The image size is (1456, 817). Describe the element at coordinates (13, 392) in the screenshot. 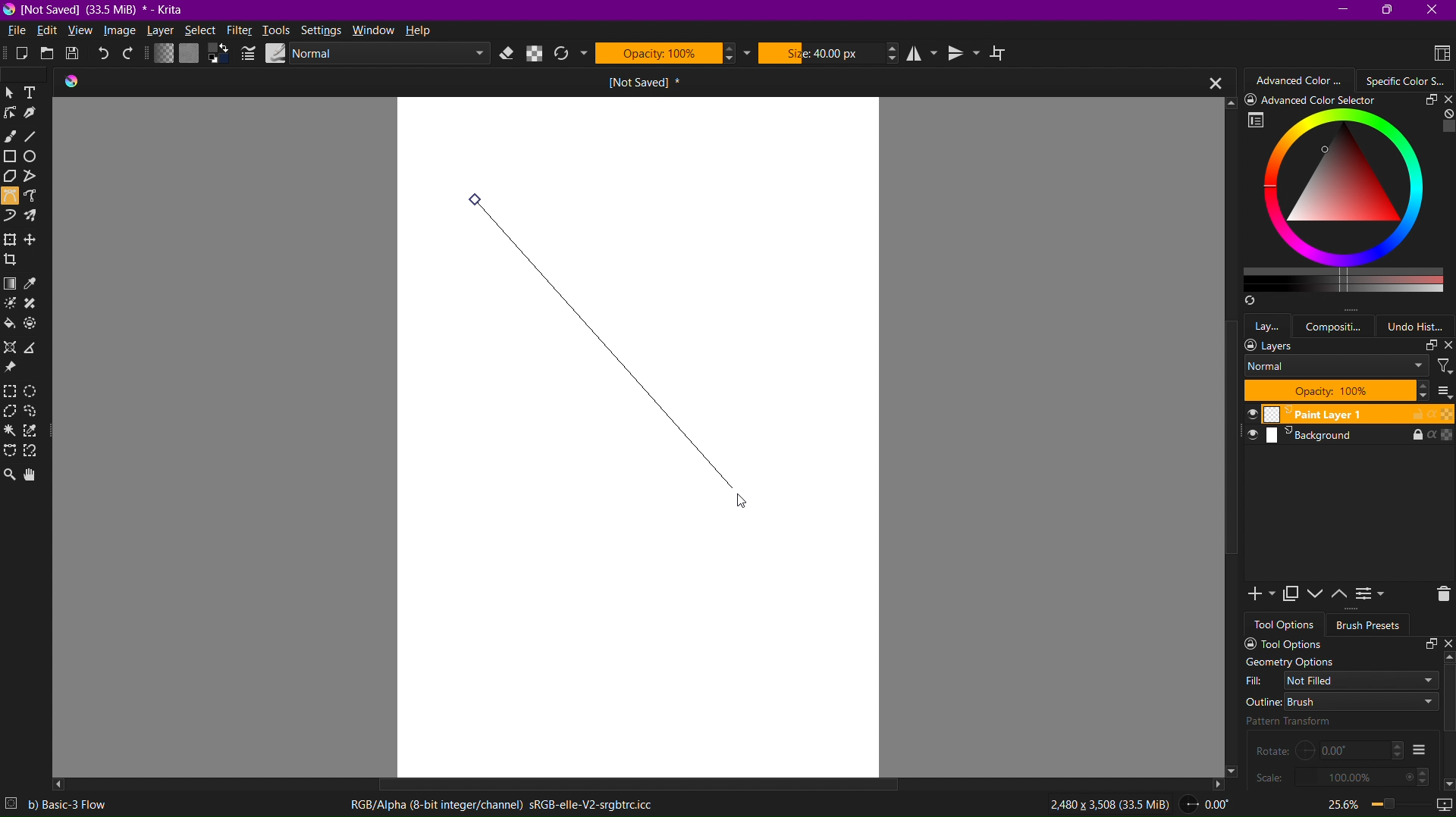

I see `Rectangular Selection Tool` at that location.